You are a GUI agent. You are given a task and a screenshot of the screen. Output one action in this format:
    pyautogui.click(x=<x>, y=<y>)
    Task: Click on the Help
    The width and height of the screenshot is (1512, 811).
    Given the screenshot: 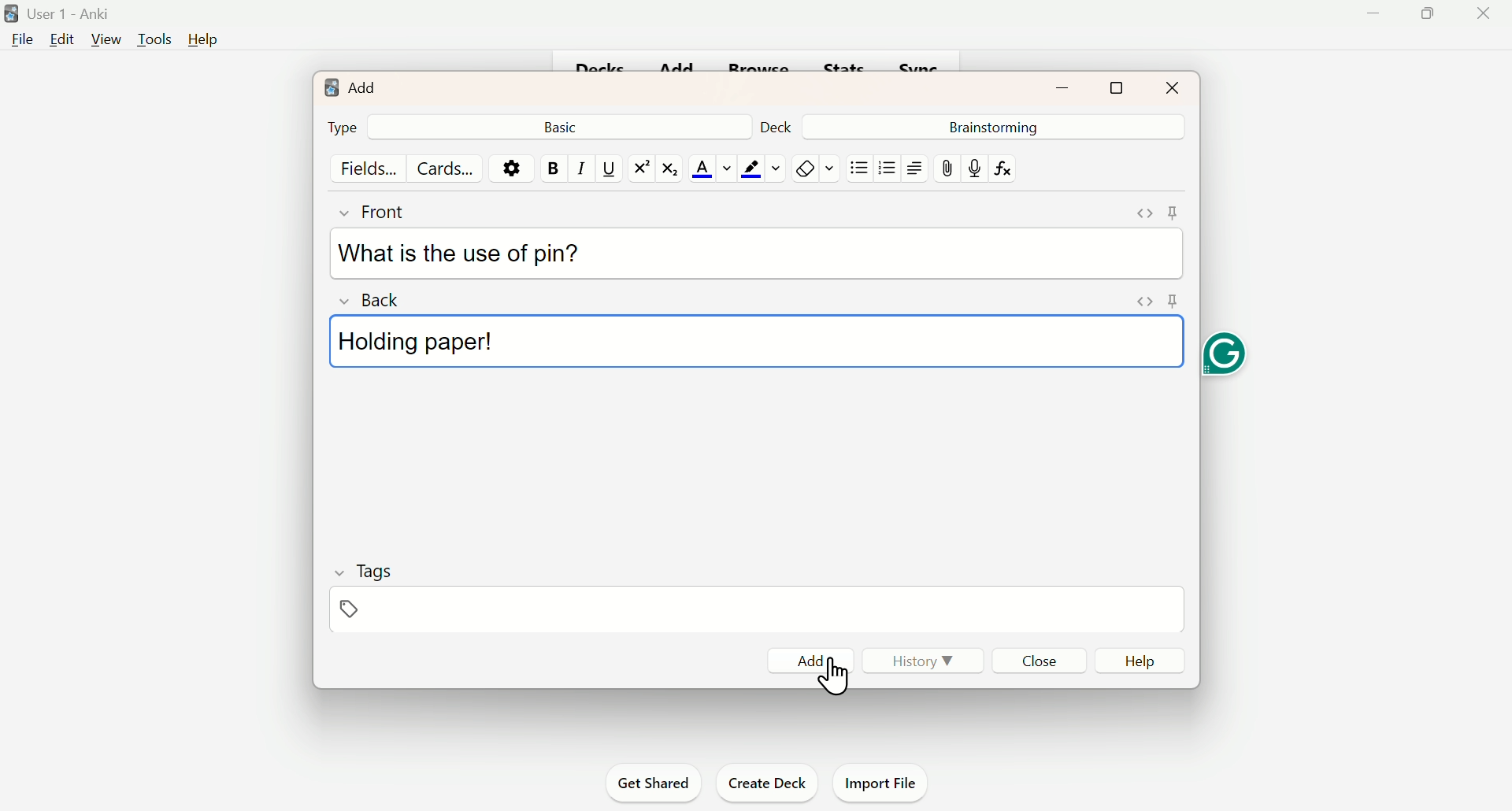 What is the action you would take?
    pyautogui.click(x=1147, y=661)
    